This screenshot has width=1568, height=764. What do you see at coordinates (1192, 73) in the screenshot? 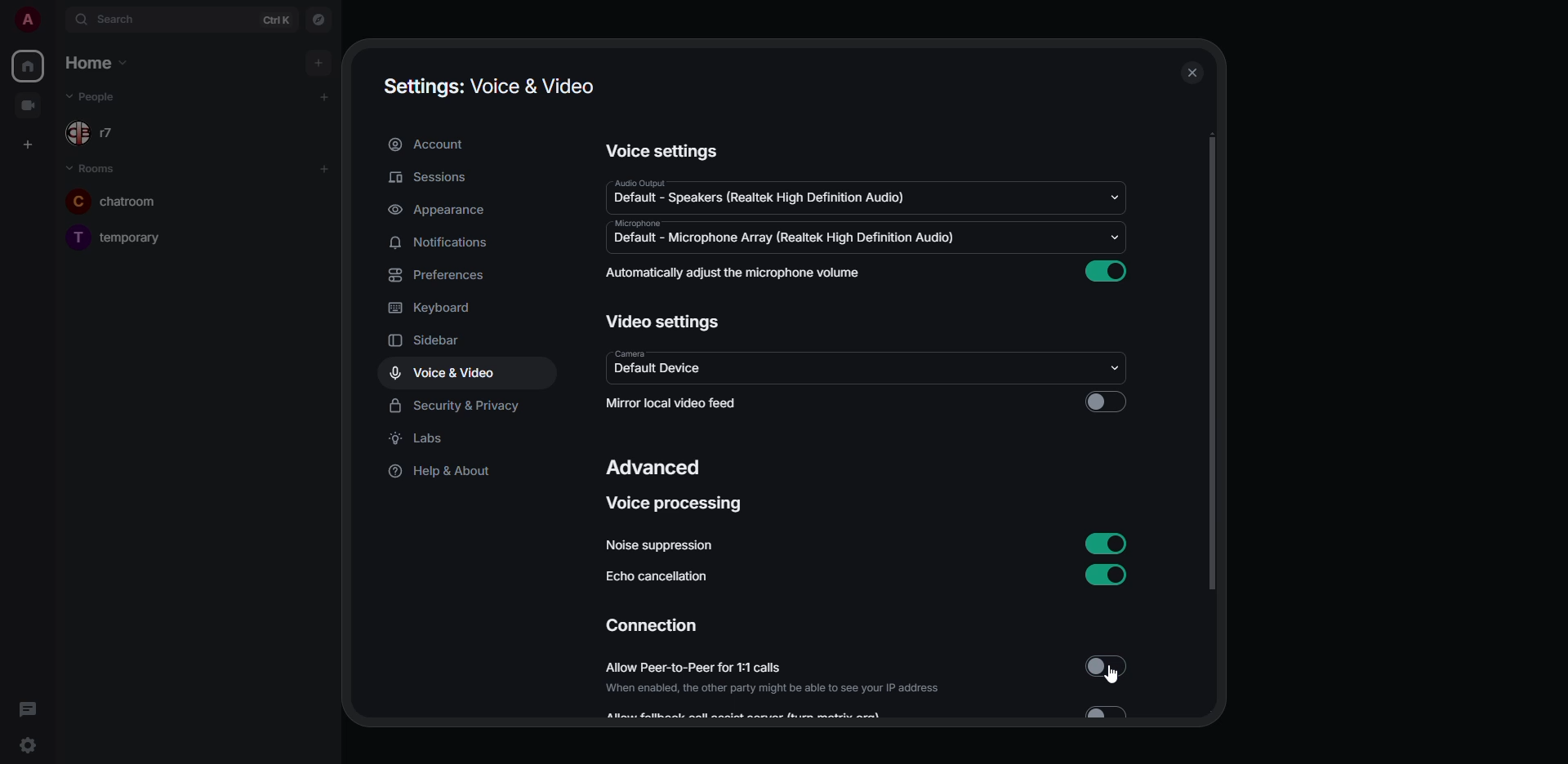
I see `close` at bounding box center [1192, 73].